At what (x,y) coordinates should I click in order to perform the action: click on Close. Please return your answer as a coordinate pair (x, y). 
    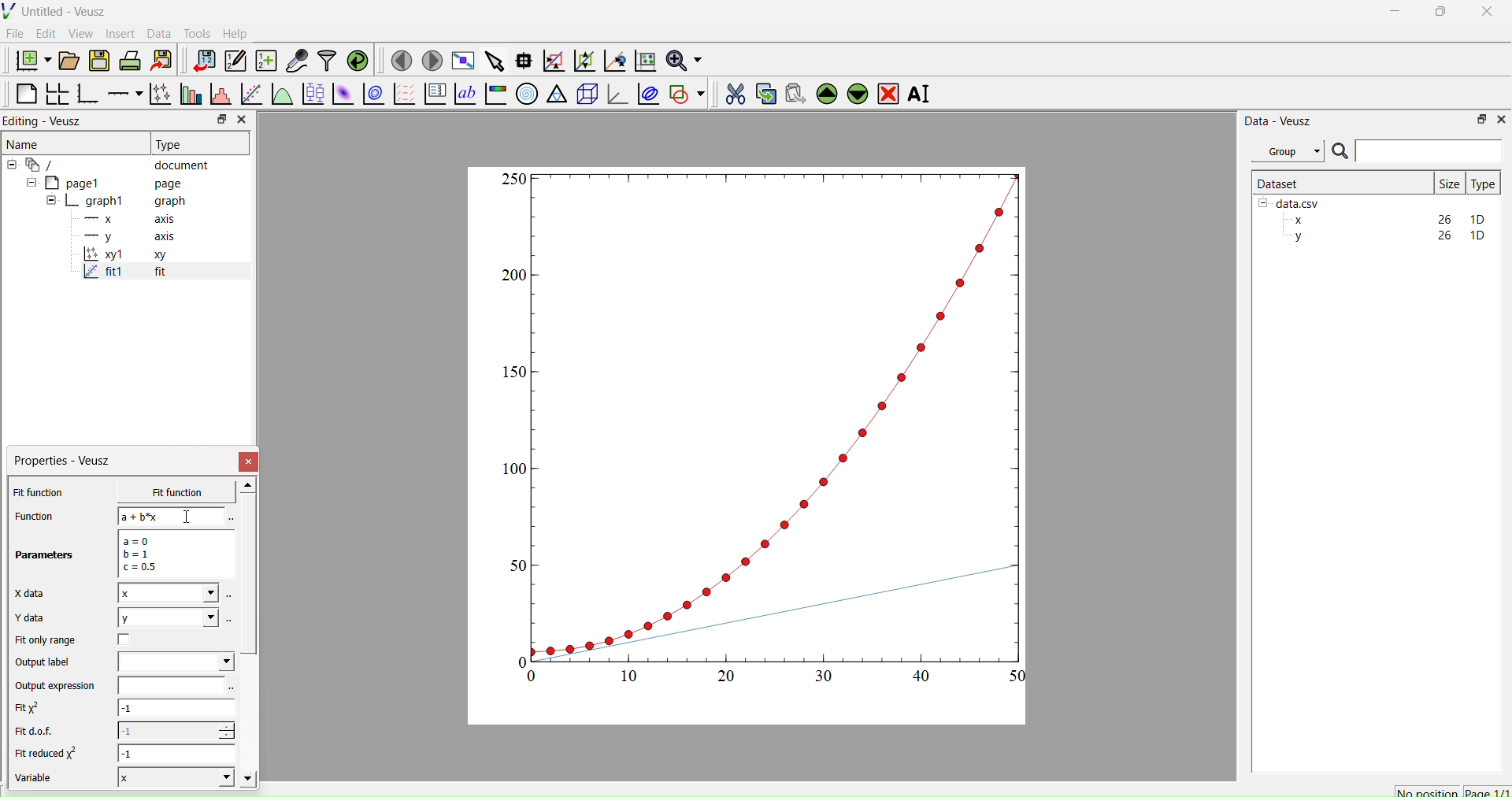
    Looking at the image, I should click on (1500, 118).